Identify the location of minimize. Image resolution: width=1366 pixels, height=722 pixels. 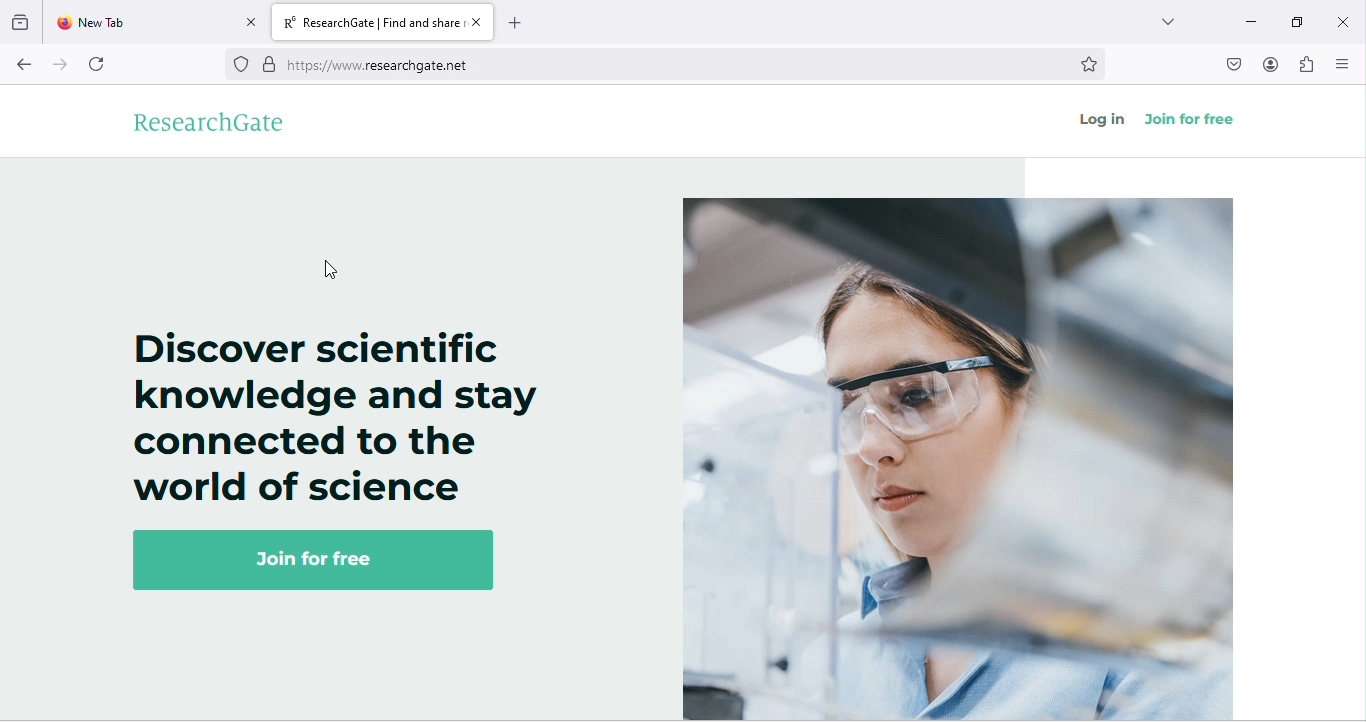
(1248, 19).